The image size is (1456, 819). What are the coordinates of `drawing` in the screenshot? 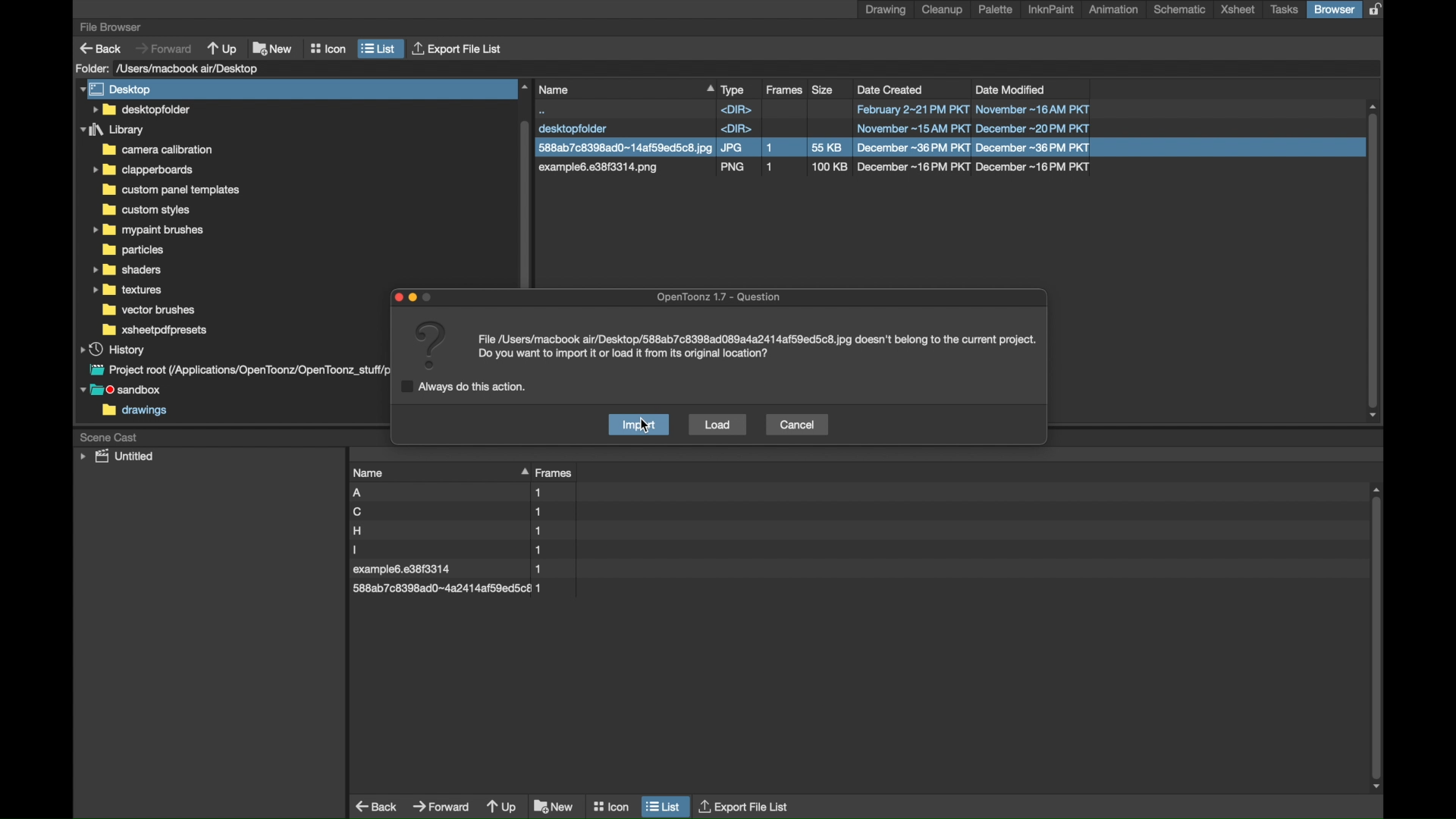 It's located at (886, 10).